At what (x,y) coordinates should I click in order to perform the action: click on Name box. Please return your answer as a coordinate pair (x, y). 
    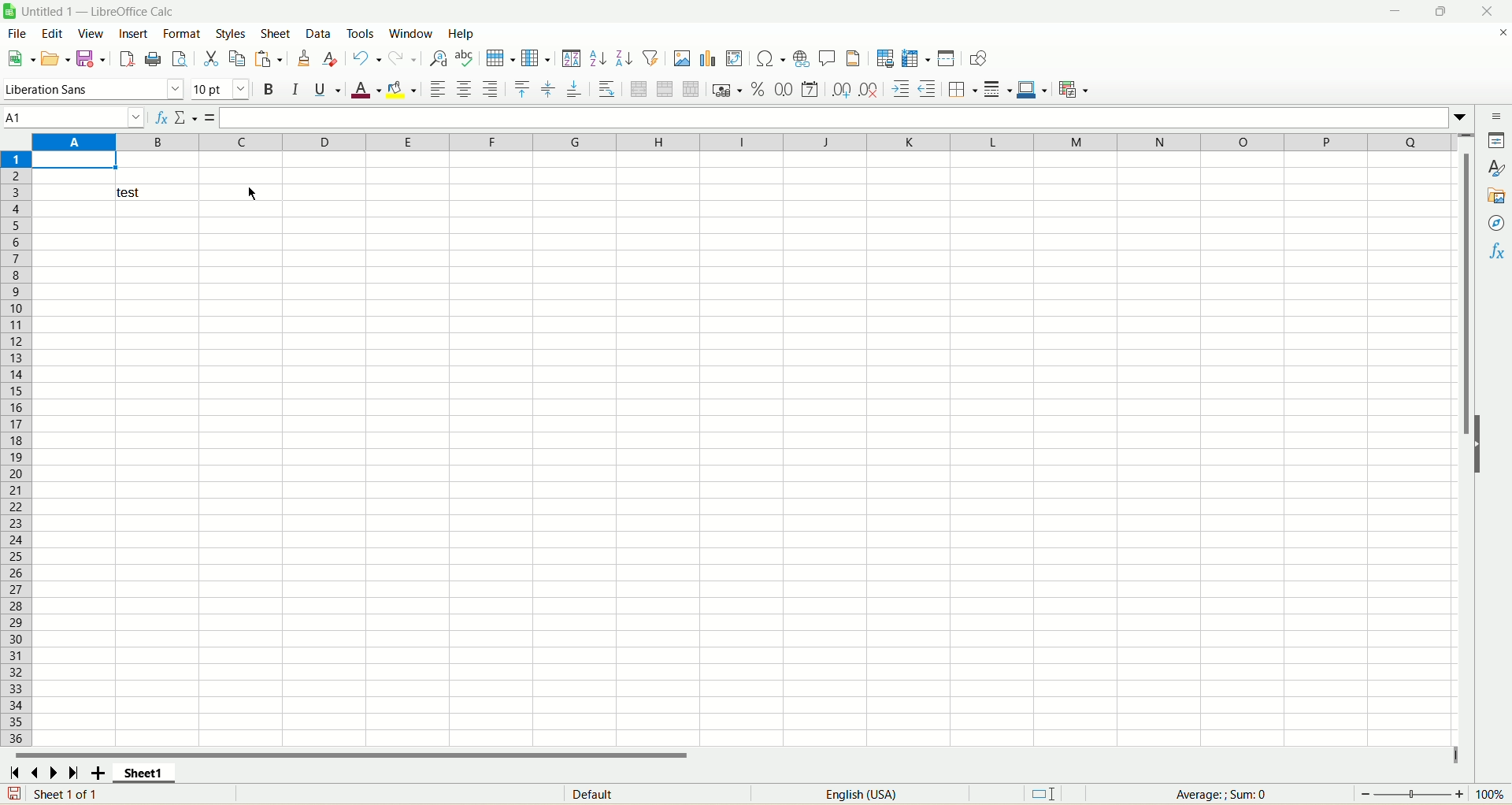
    Looking at the image, I should click on (74, 118).